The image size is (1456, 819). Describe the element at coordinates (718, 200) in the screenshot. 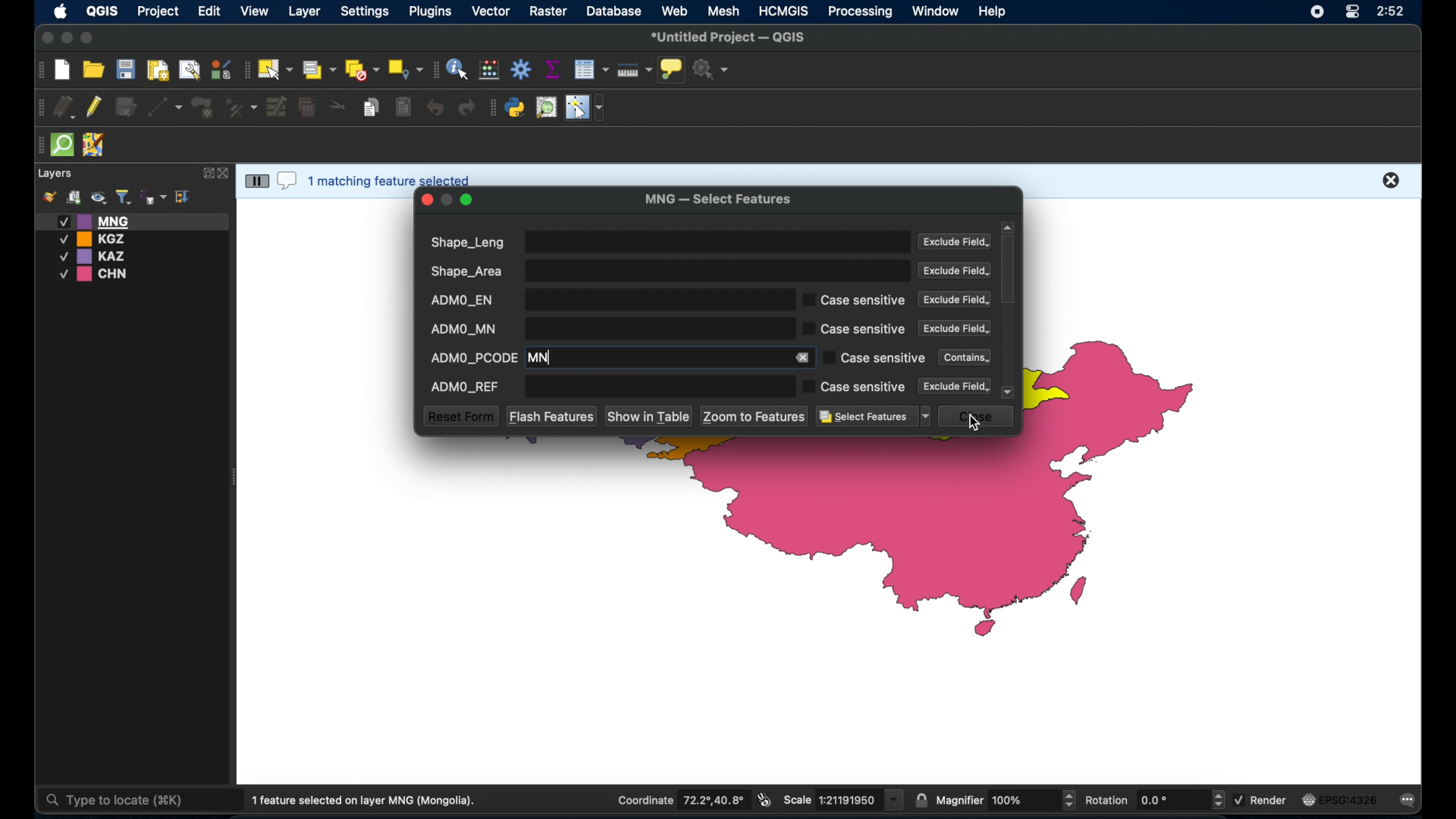

I see `MNG - Select features` at that location.